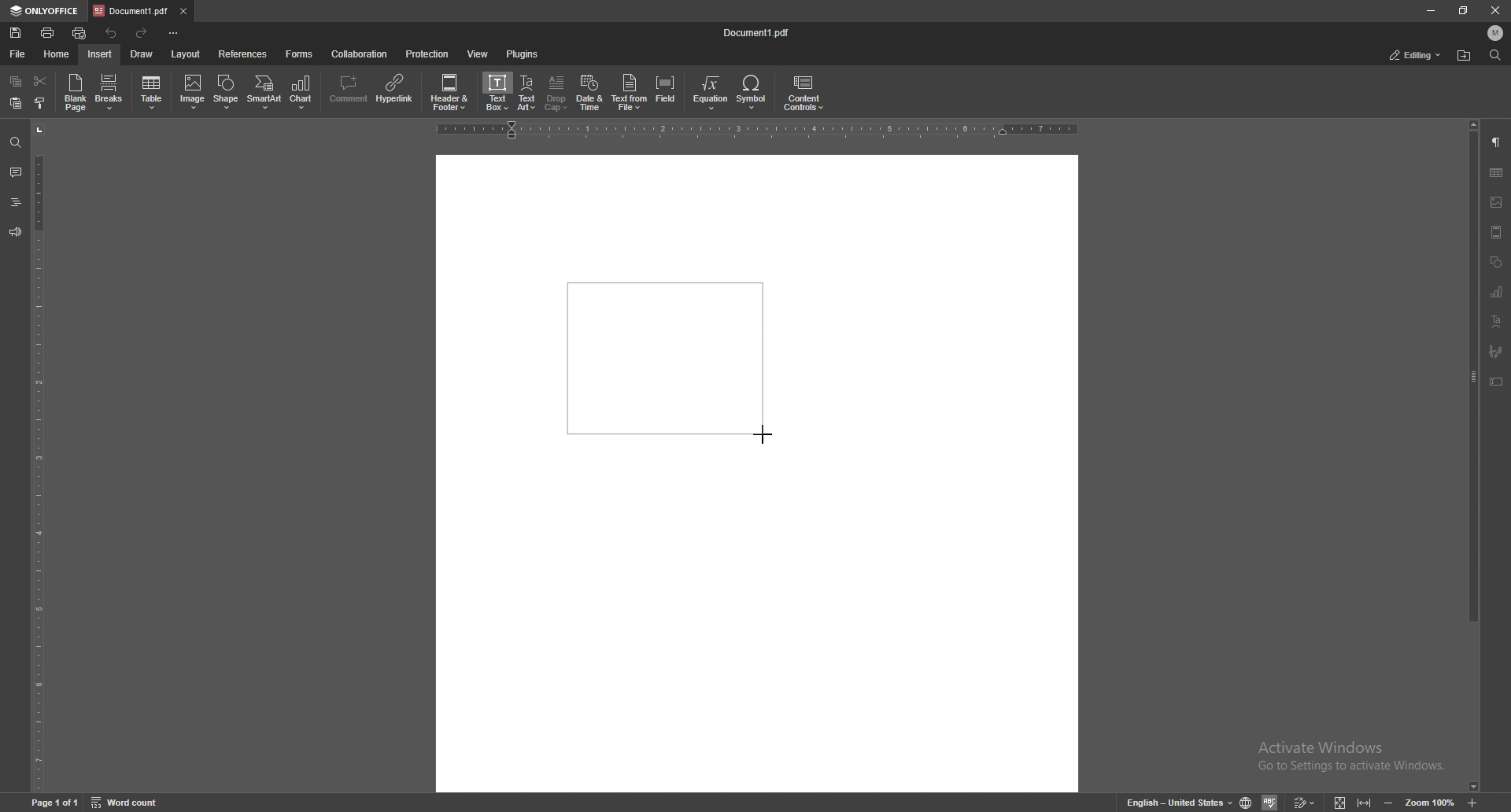 Image resolution: width=1511 pixels, height=812 pixels. I want to click on vertical scale, so click(38, 457).